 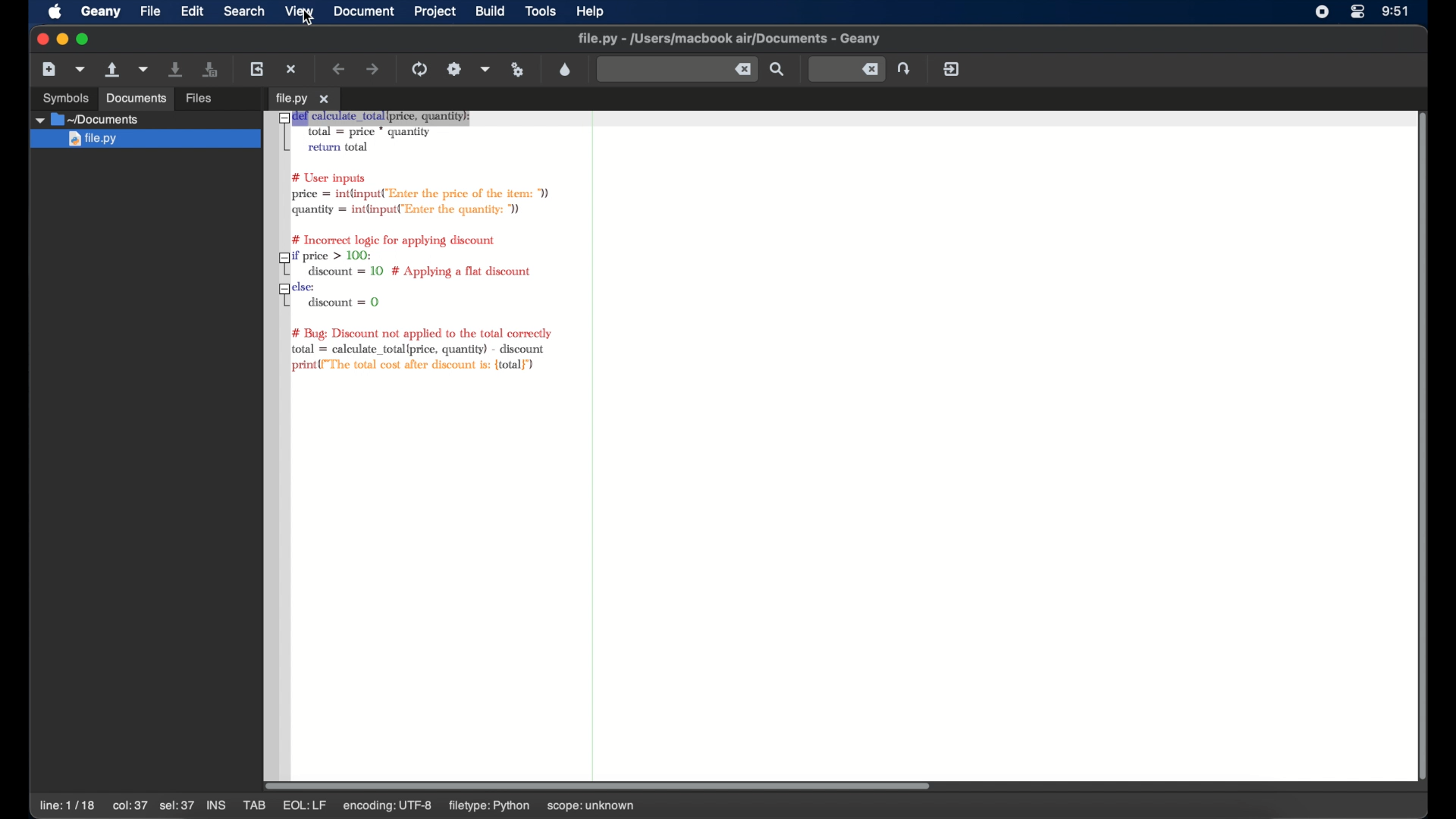 What do you see at coordinates (41, 39) in the screenshot?
I see `close` at bounding box center [41, 39].